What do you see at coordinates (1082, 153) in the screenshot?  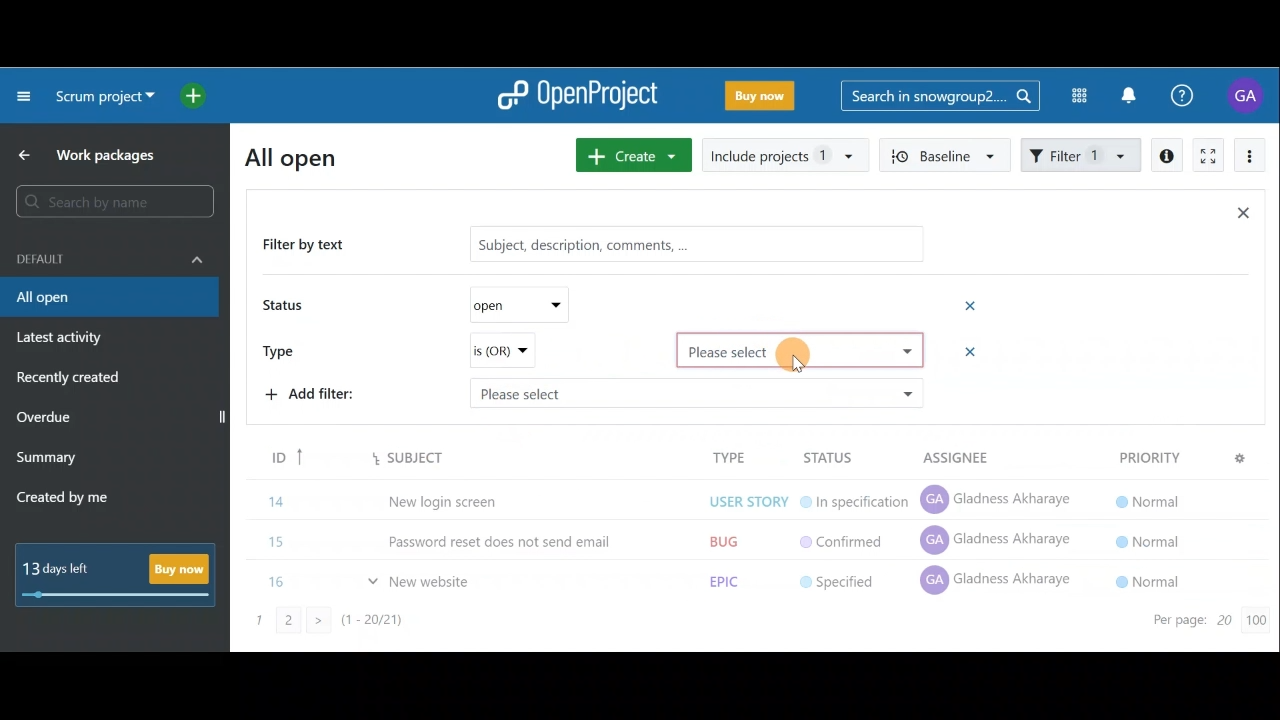 I see `Filter` at bounding box center [1082, 153].